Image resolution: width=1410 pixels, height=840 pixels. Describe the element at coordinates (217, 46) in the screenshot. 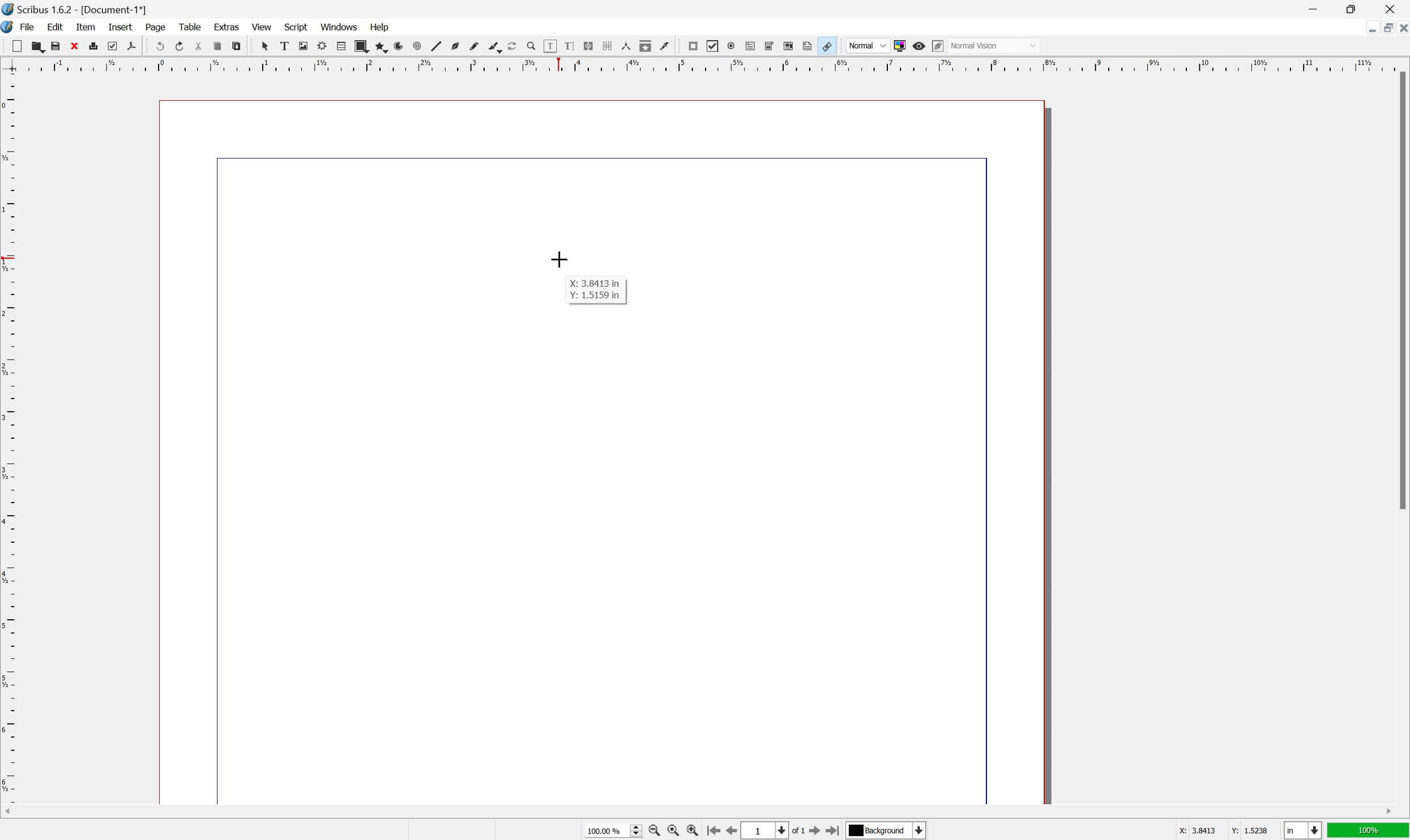

I see `copy` at that location.